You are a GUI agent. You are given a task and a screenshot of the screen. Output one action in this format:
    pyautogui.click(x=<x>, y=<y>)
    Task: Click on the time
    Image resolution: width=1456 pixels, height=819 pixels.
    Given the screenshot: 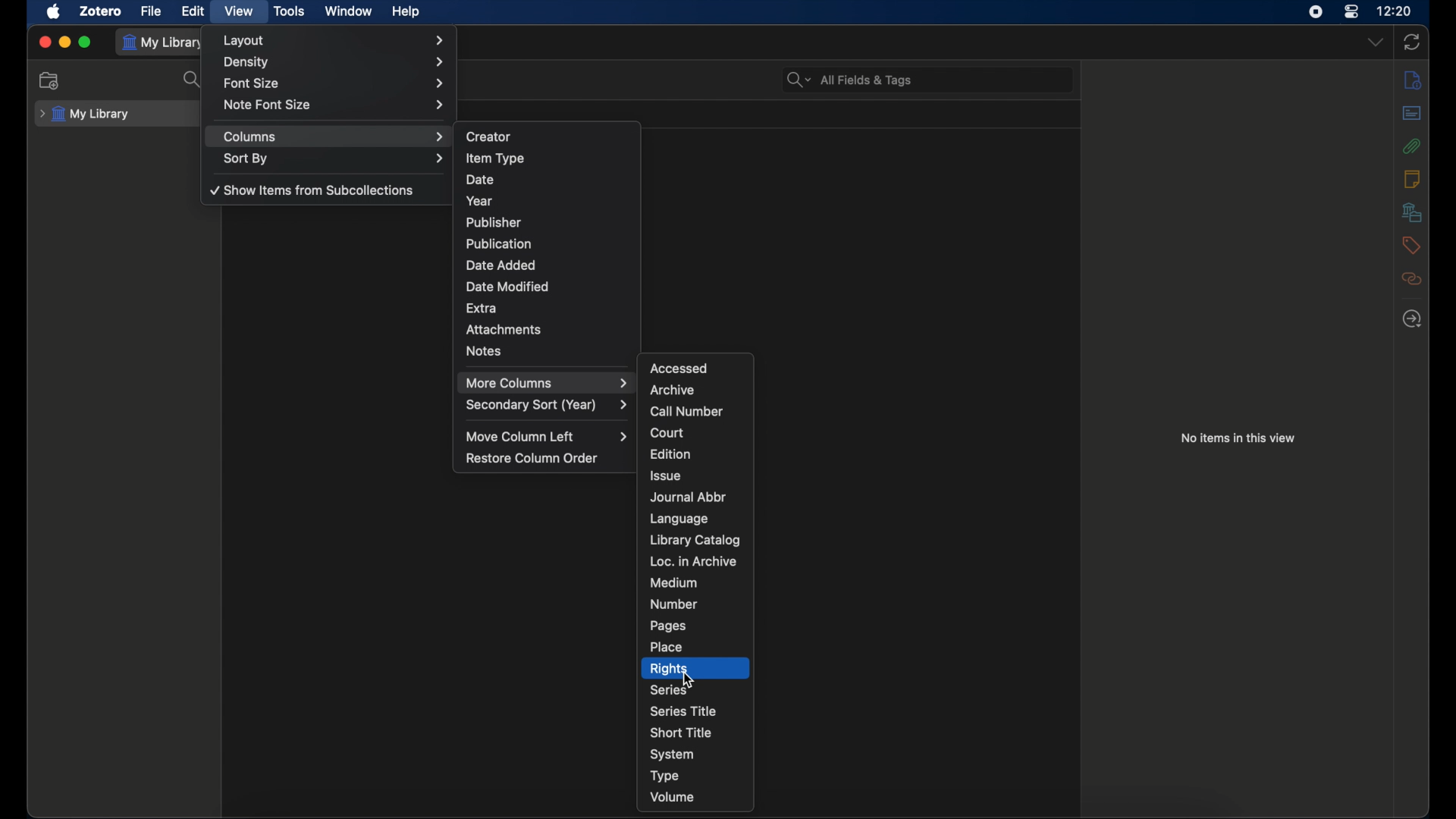 What is the action you would take?
    pyautogui.click(x=1395, y=11)
    